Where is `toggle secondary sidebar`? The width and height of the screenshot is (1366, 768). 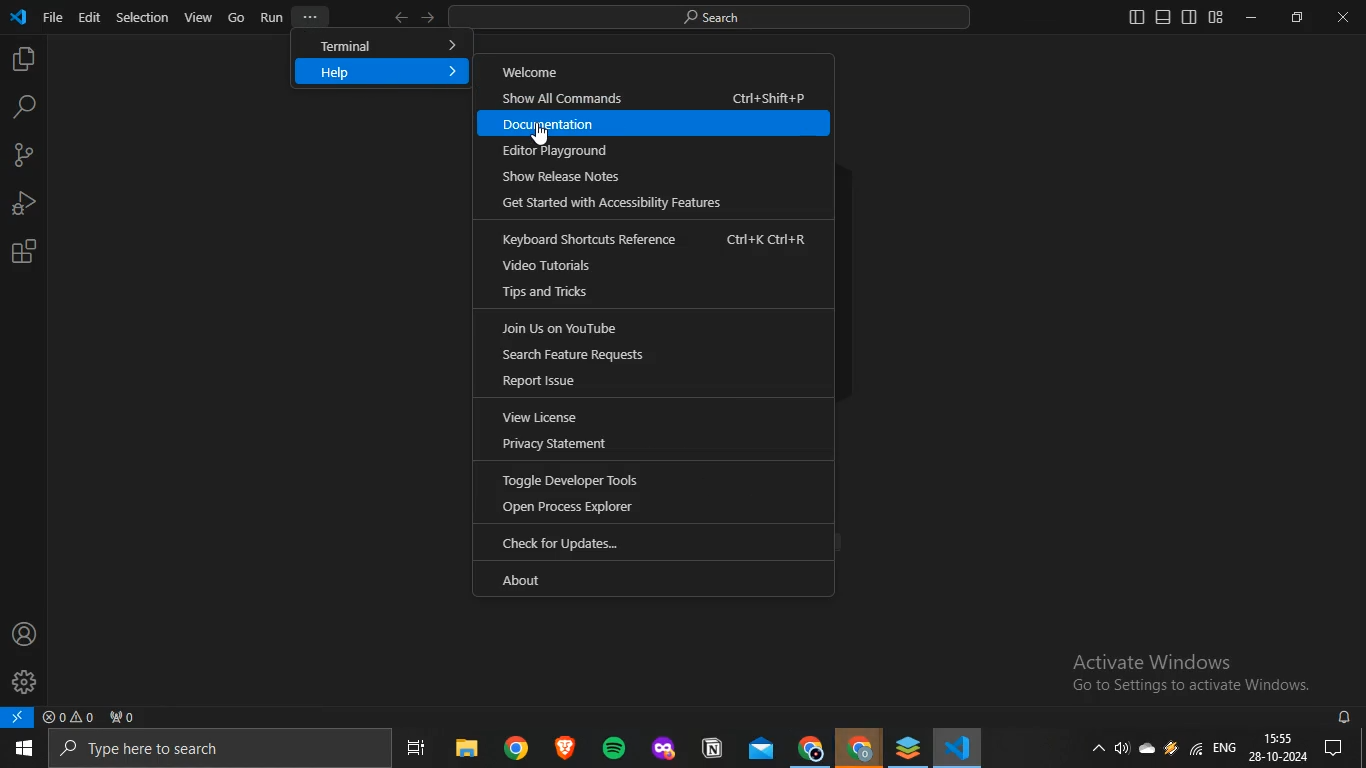 toggle secondary sidebar is located at coordinates (1190, 17).